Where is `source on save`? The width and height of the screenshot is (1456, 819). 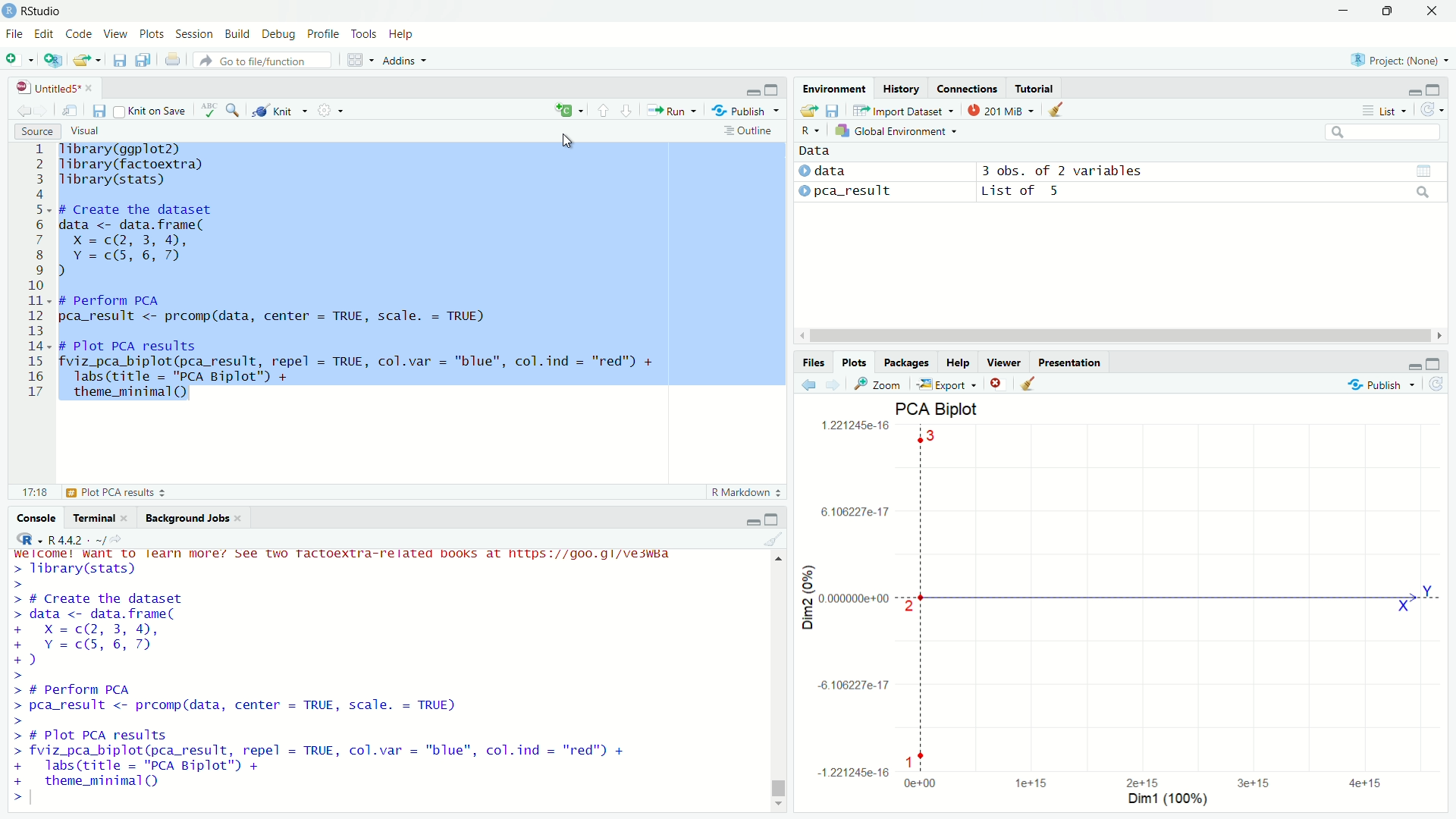
source on save is located at coordinates (152, 112).